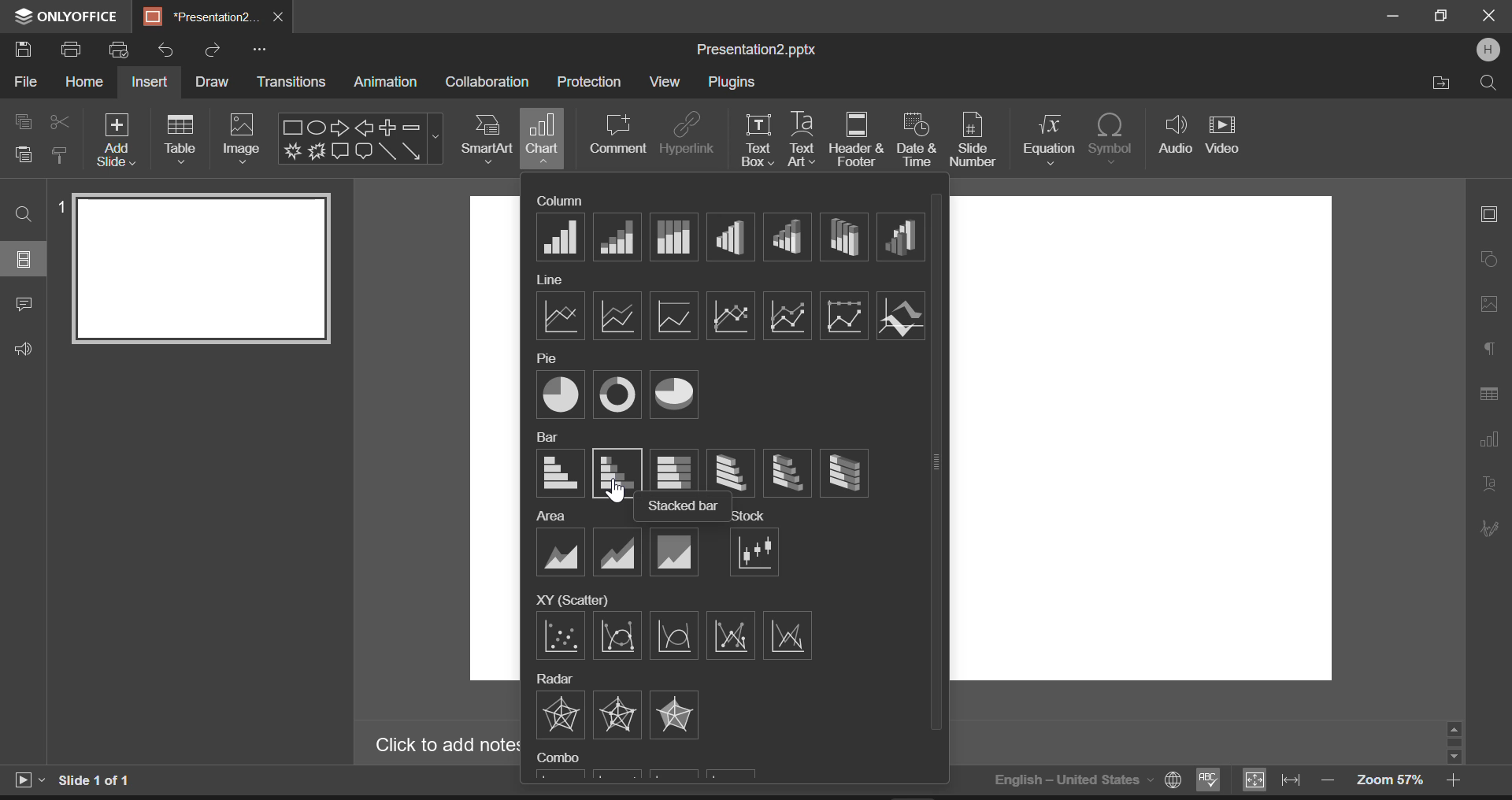  What do you see at coordinates (732, 315) in the screenshot?
I see `Line with markers` at bounding box center [732, 315].